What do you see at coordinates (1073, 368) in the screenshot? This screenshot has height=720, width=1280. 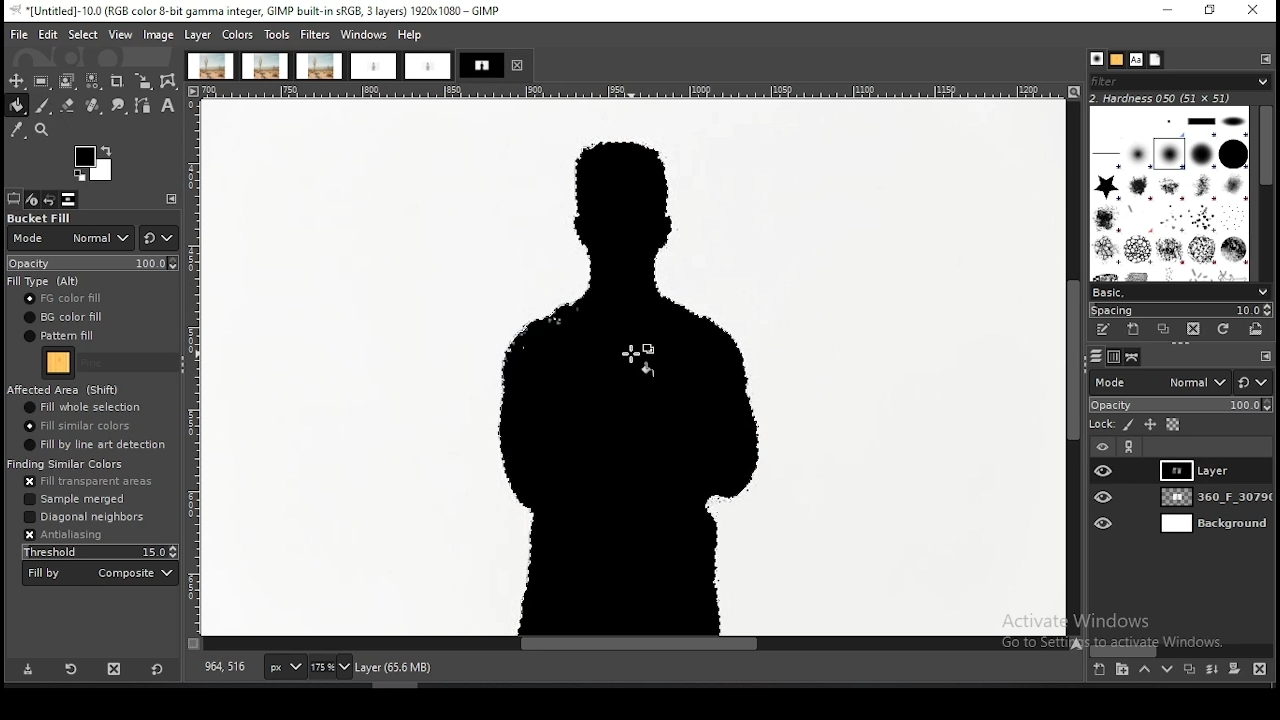 I see `scroll bar` at bounding box center [1073, 368].